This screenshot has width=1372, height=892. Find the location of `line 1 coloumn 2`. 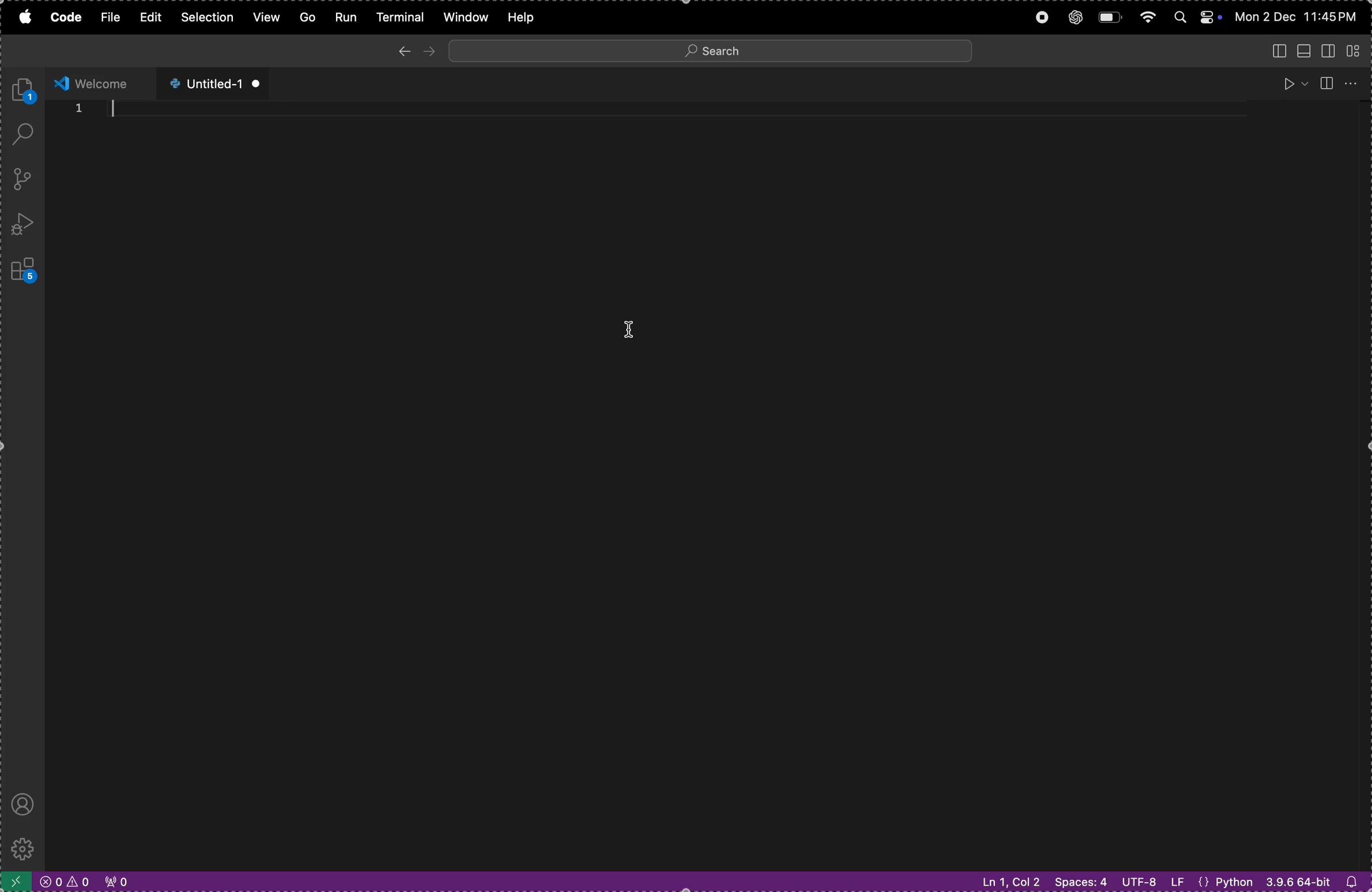

line 1 coloumn 2 is located at coordinates (1007, 882).